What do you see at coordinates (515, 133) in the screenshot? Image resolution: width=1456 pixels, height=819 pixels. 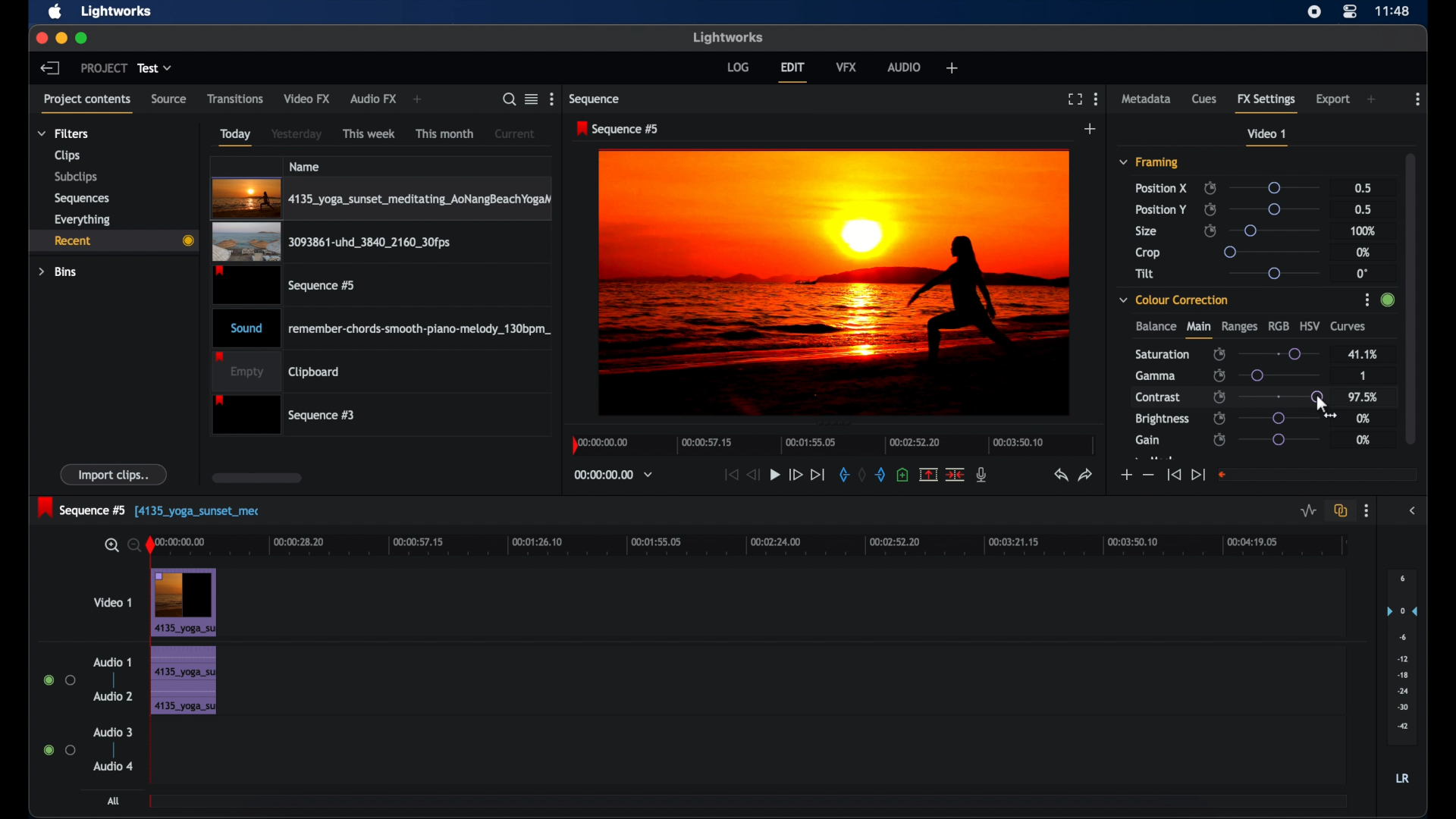 I see `current` at bounding box center [515, 133].